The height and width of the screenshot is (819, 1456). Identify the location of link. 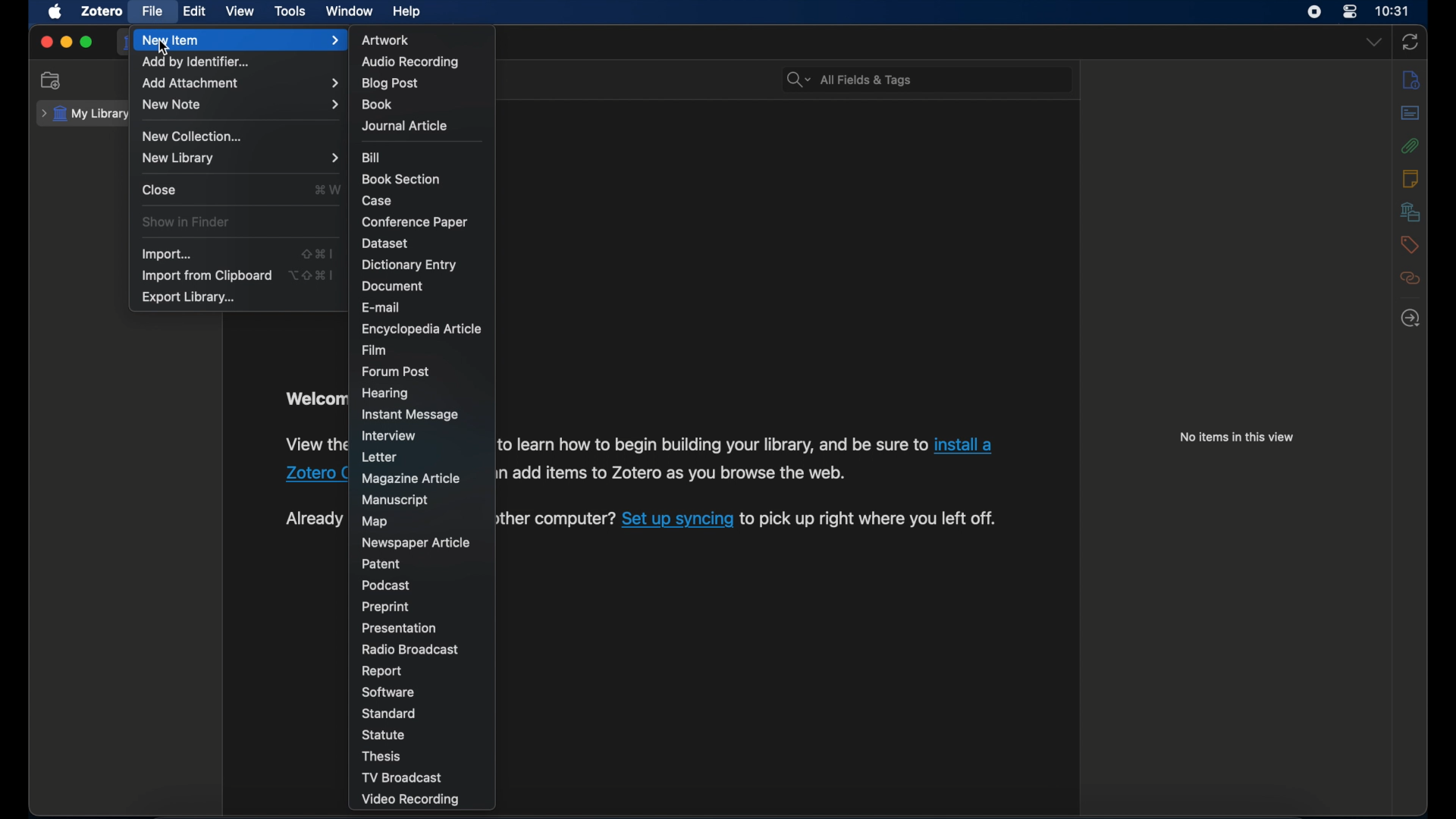
(962, 446).